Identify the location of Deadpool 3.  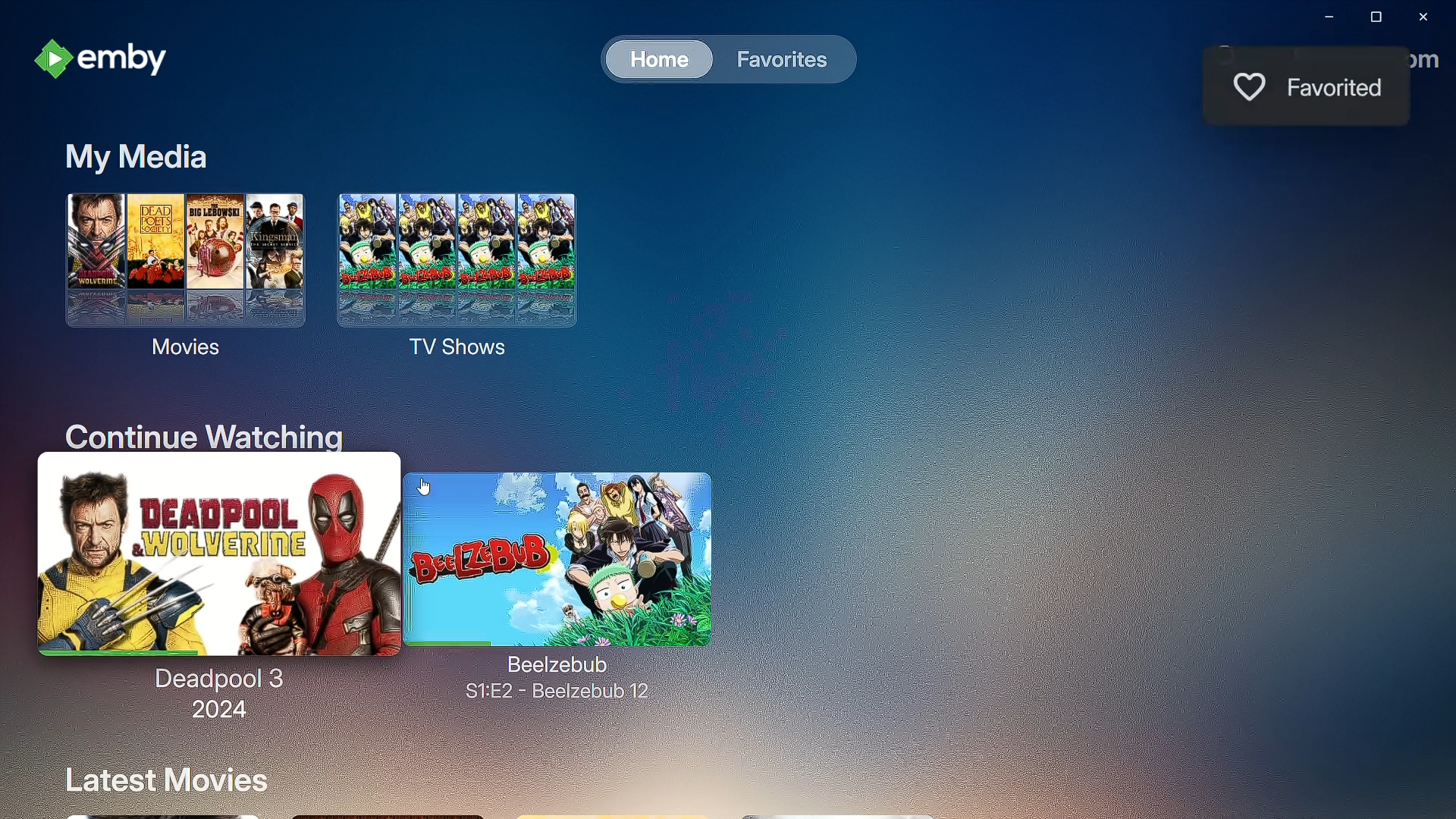
(217, 573).